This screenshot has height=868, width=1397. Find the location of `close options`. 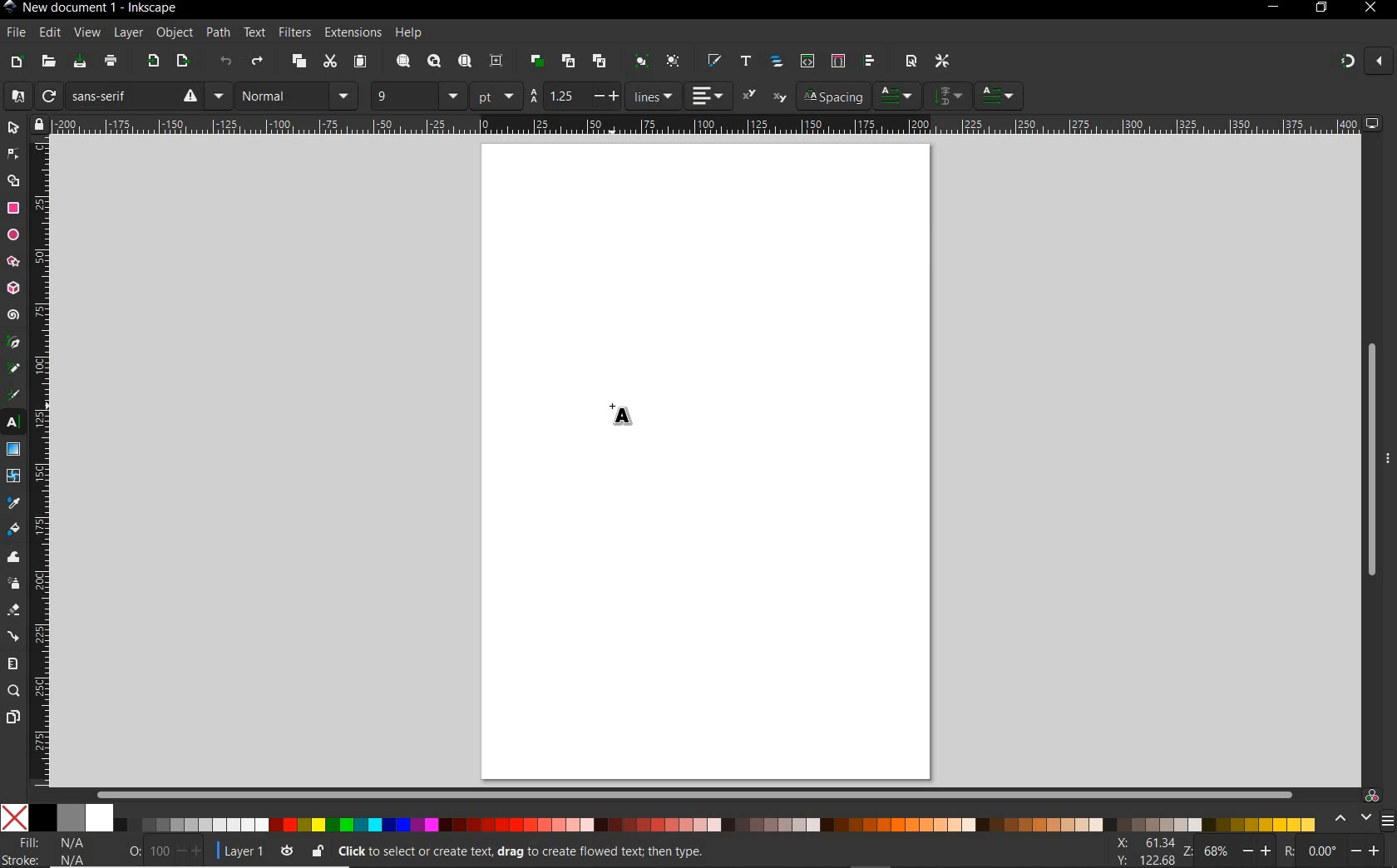

close options is located at coordinates (1379, 62).